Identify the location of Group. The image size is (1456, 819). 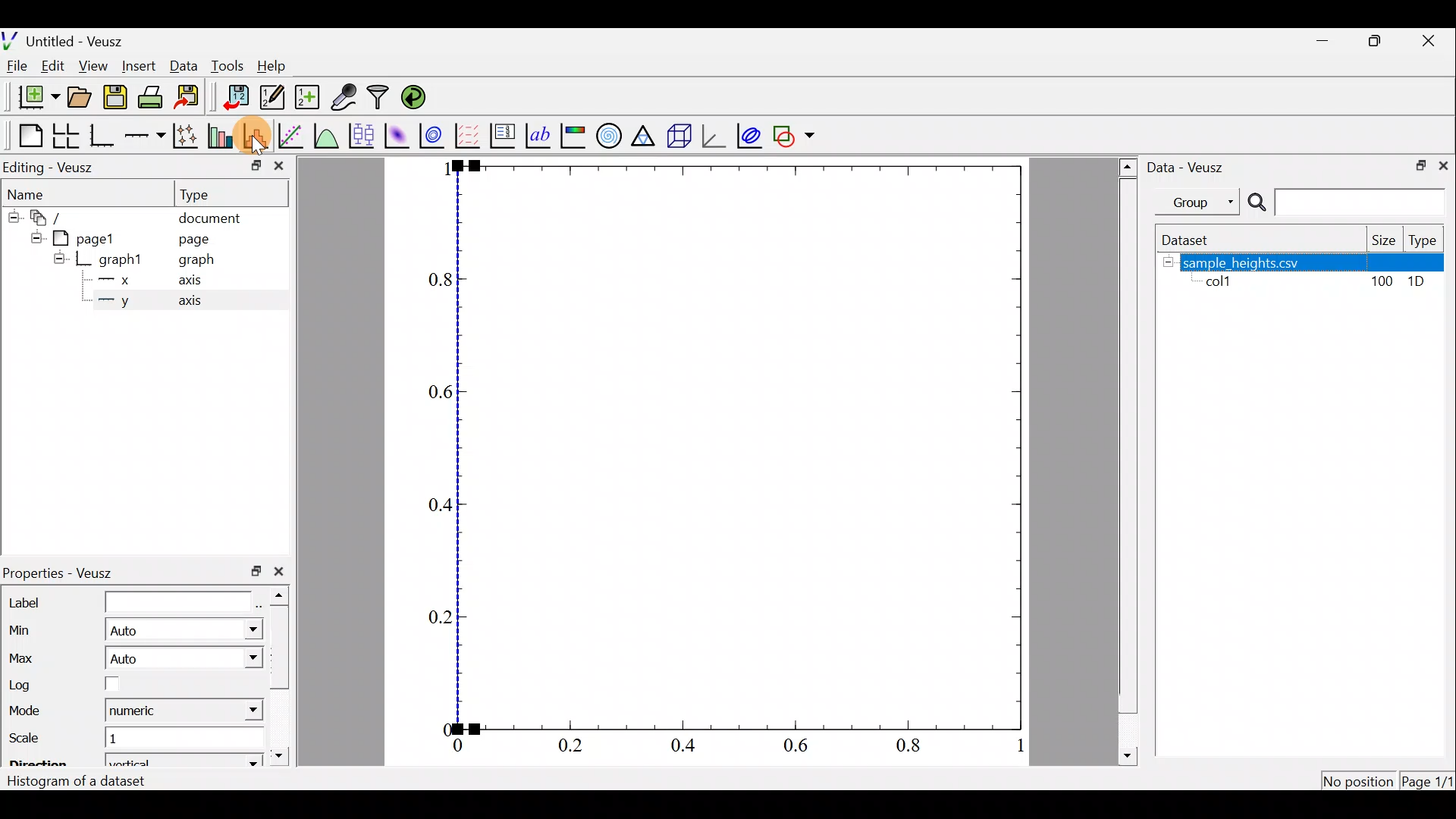
(1201, 202).